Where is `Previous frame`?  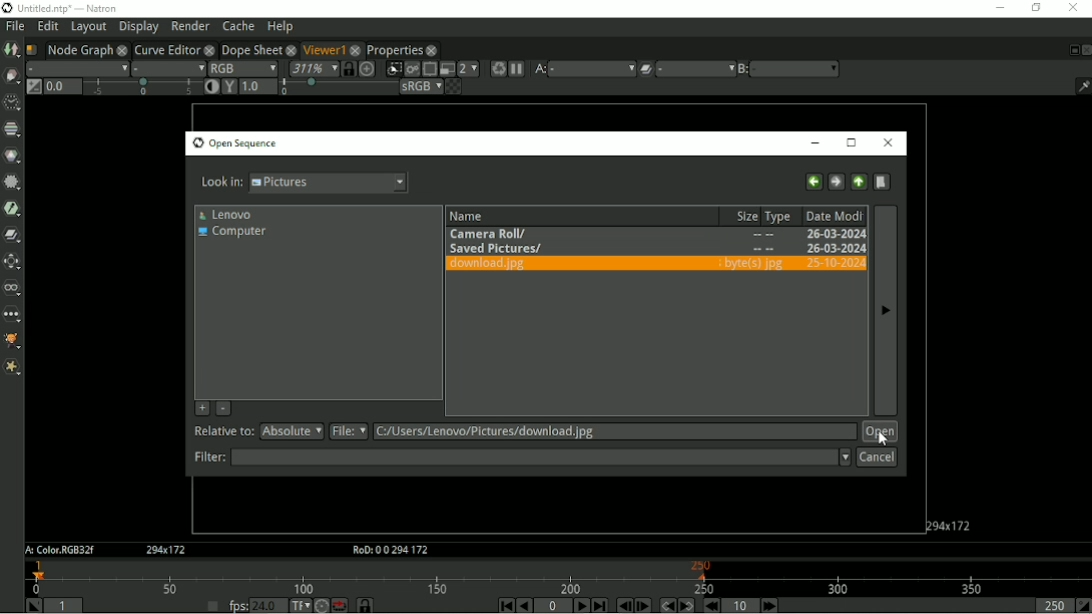
Previous frame is located at coordinates (623, 606).